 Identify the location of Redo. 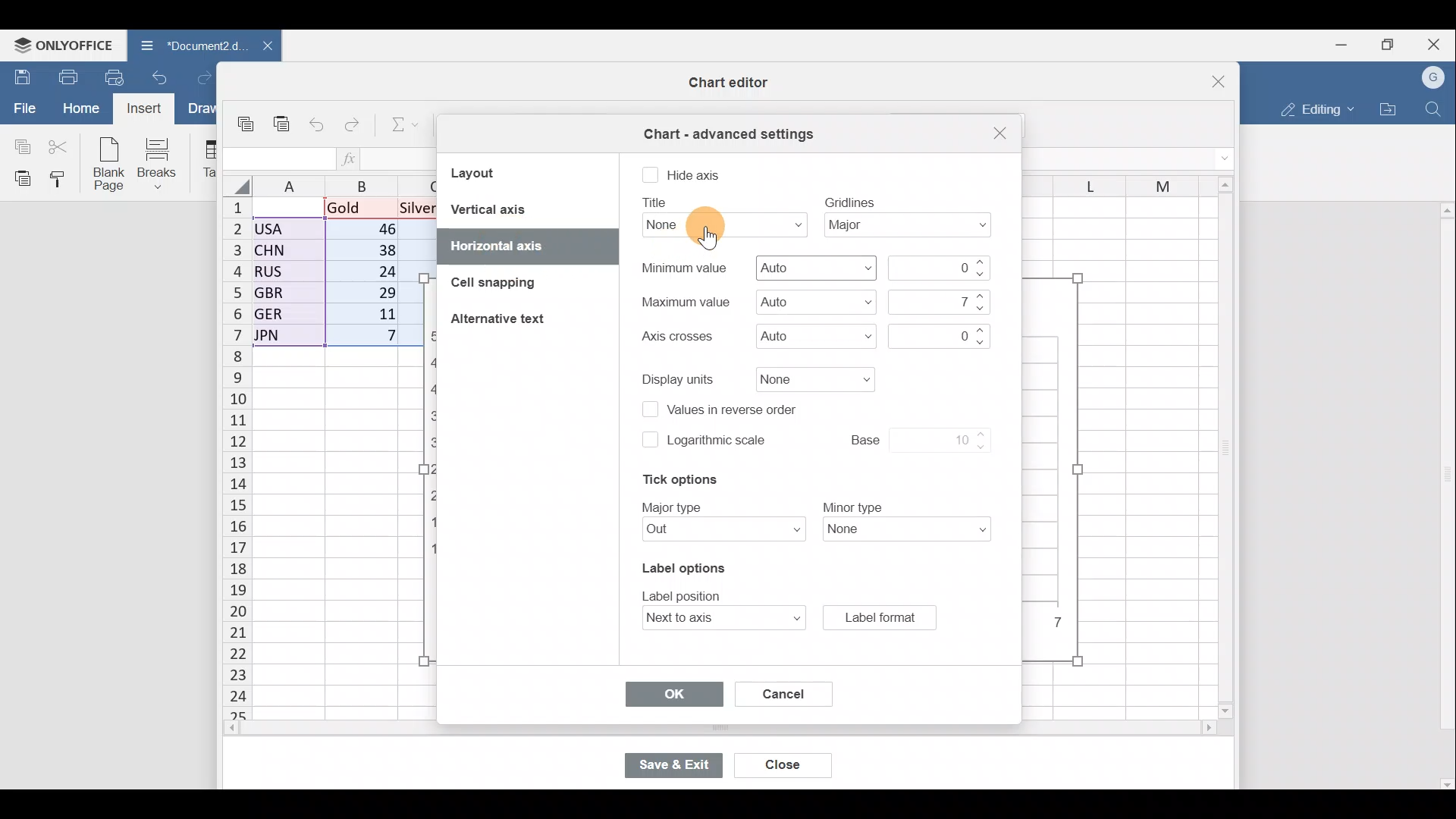
(356, 121).